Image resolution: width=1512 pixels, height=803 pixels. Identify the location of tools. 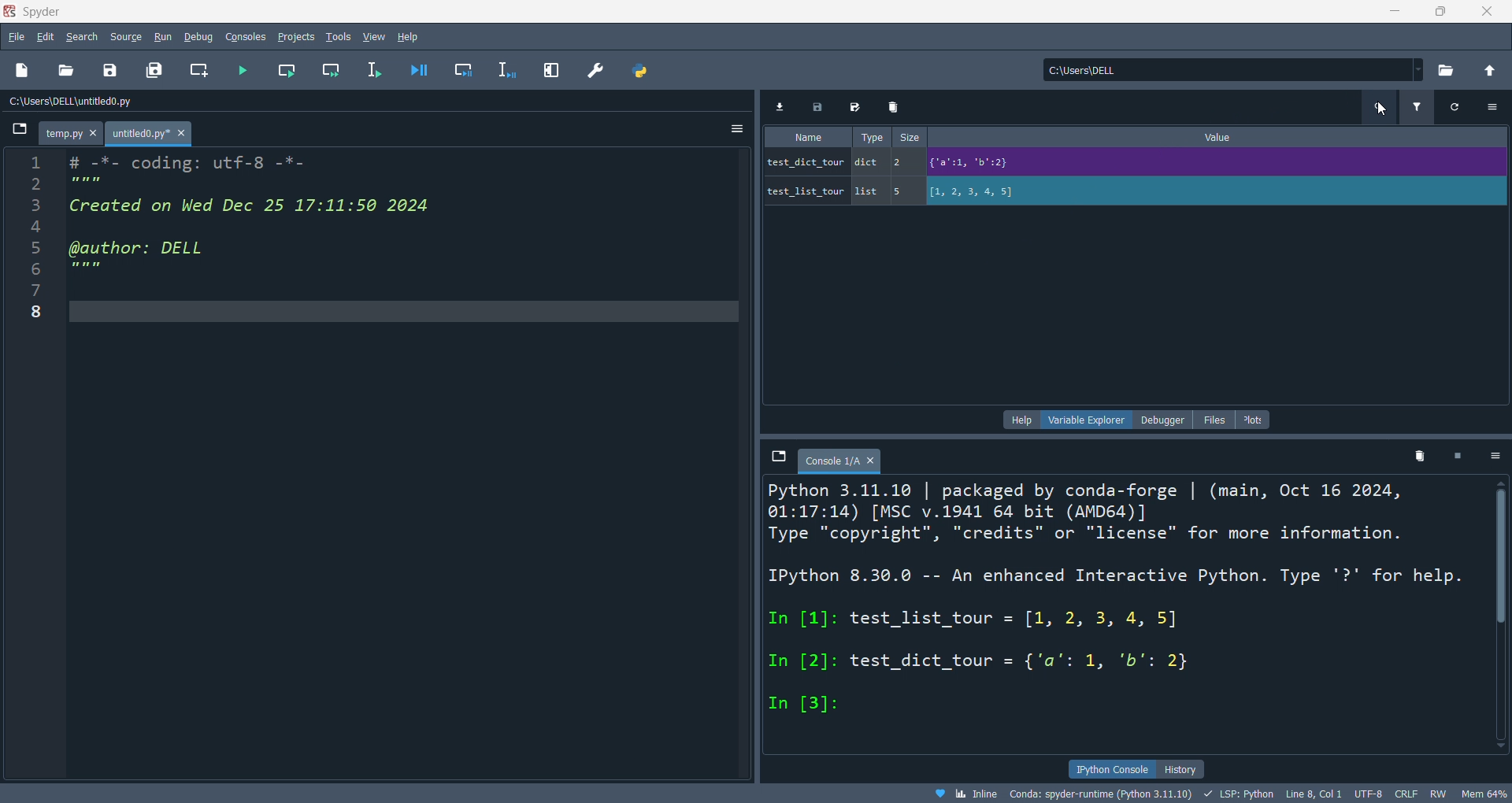
(334, 35).